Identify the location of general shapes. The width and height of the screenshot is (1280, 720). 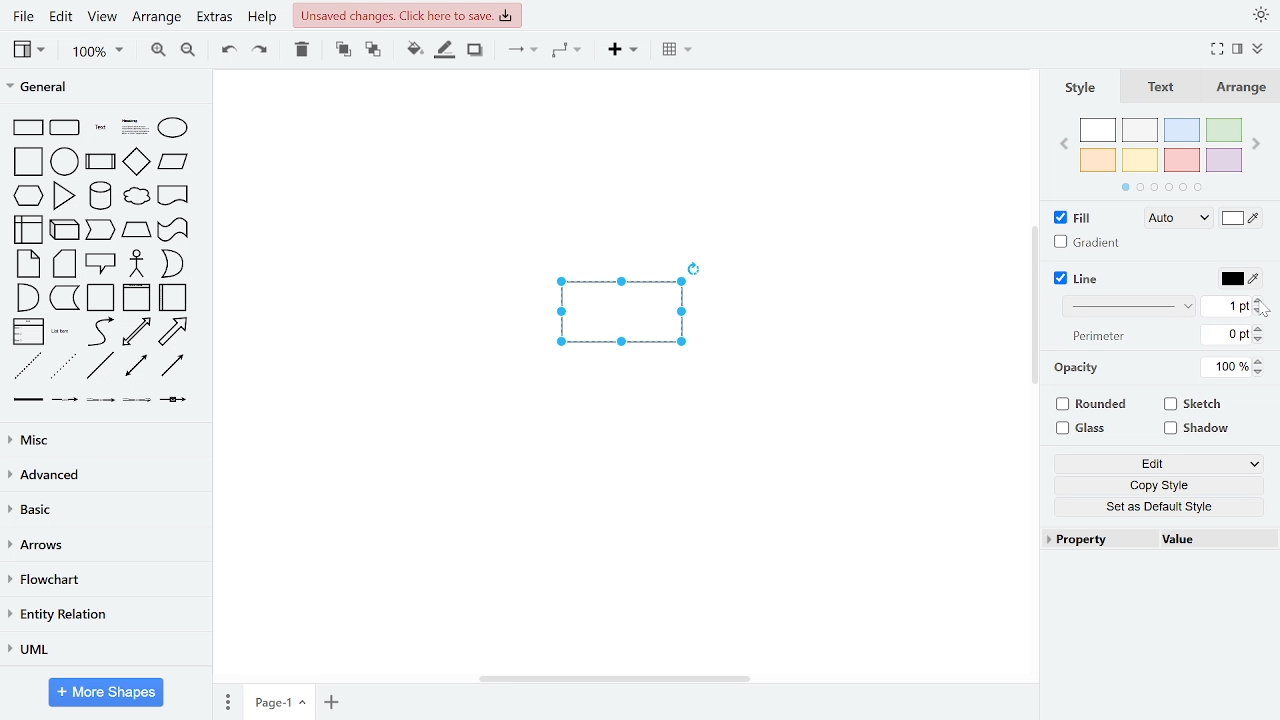
(63, 126).